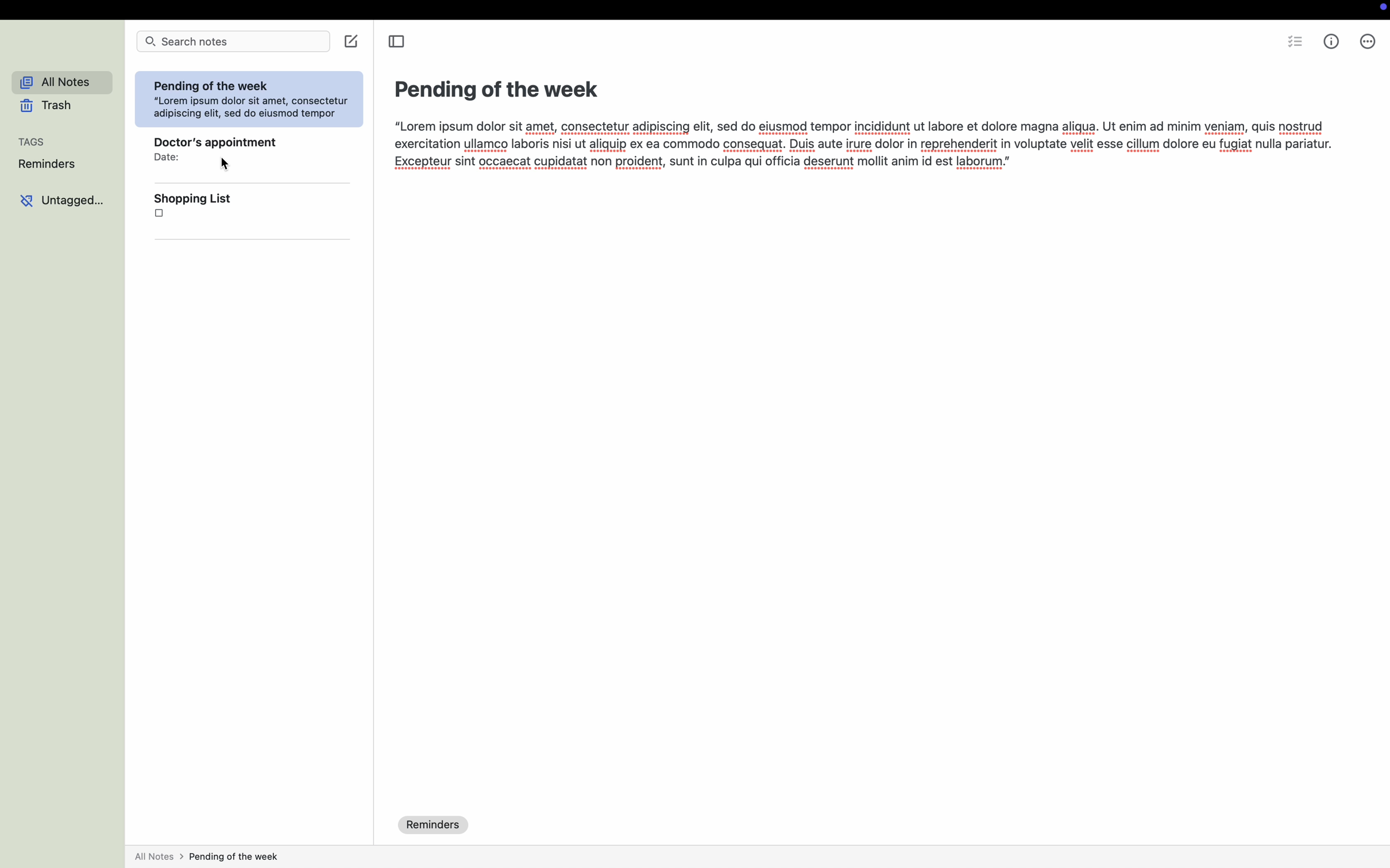  I want to click on doctor's appointment Date:, so click(209, 146).